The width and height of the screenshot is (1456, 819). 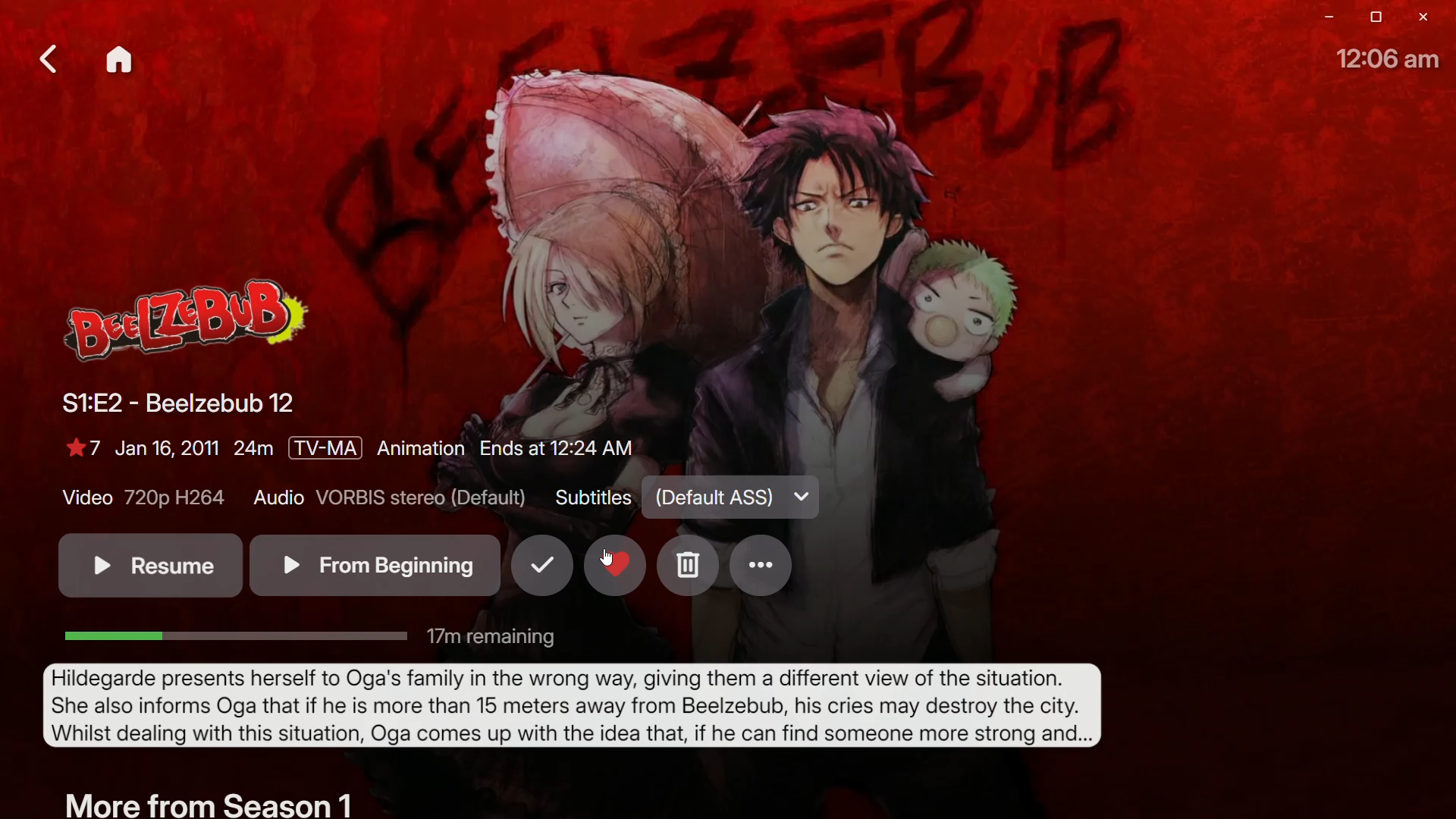 I want to click on Remaining TIme, so click(x=312, y=637).